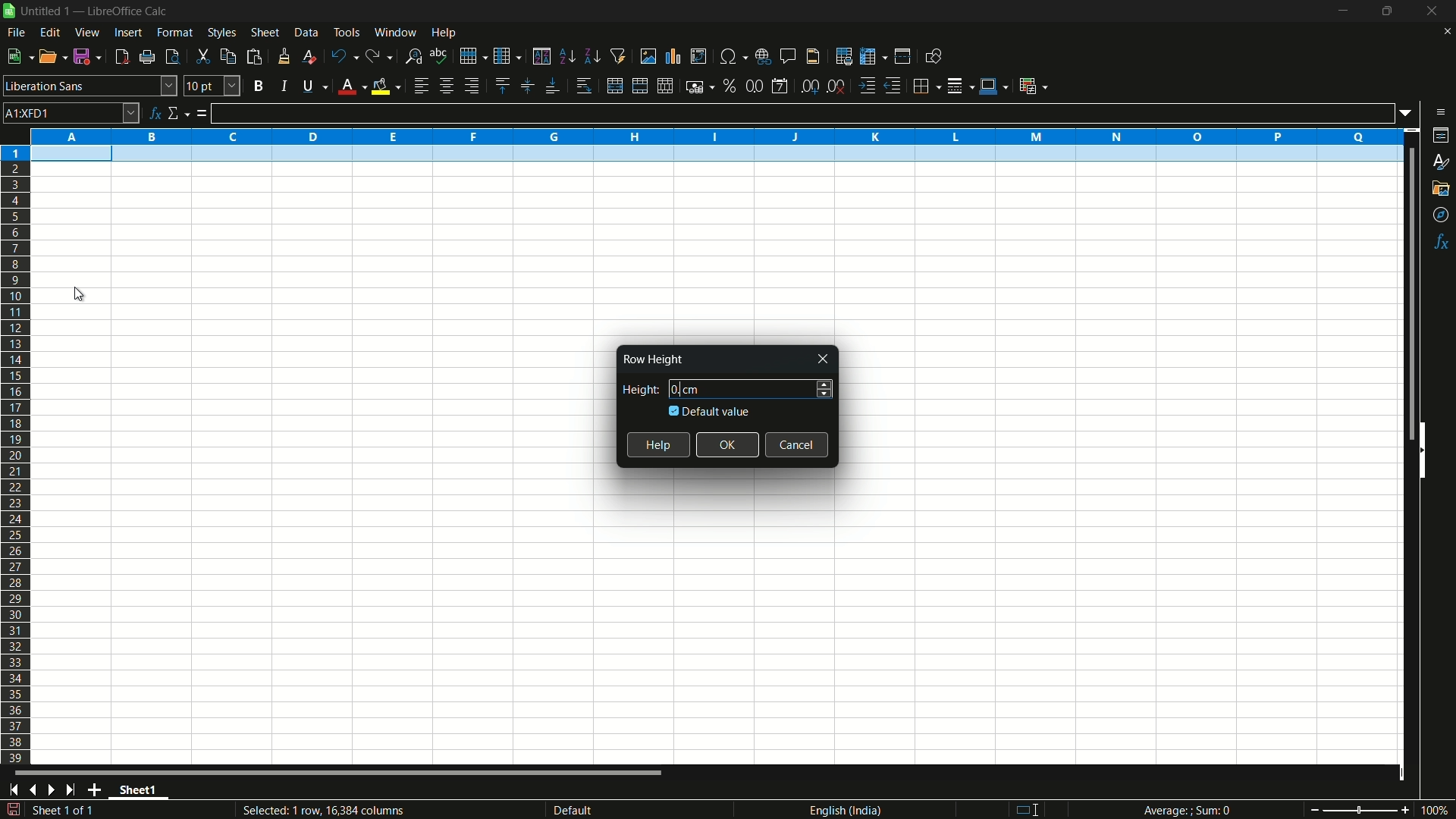 The height and width of the screenshot is (819, 1456). I want to click on zoom slider, so click(1359, 809).